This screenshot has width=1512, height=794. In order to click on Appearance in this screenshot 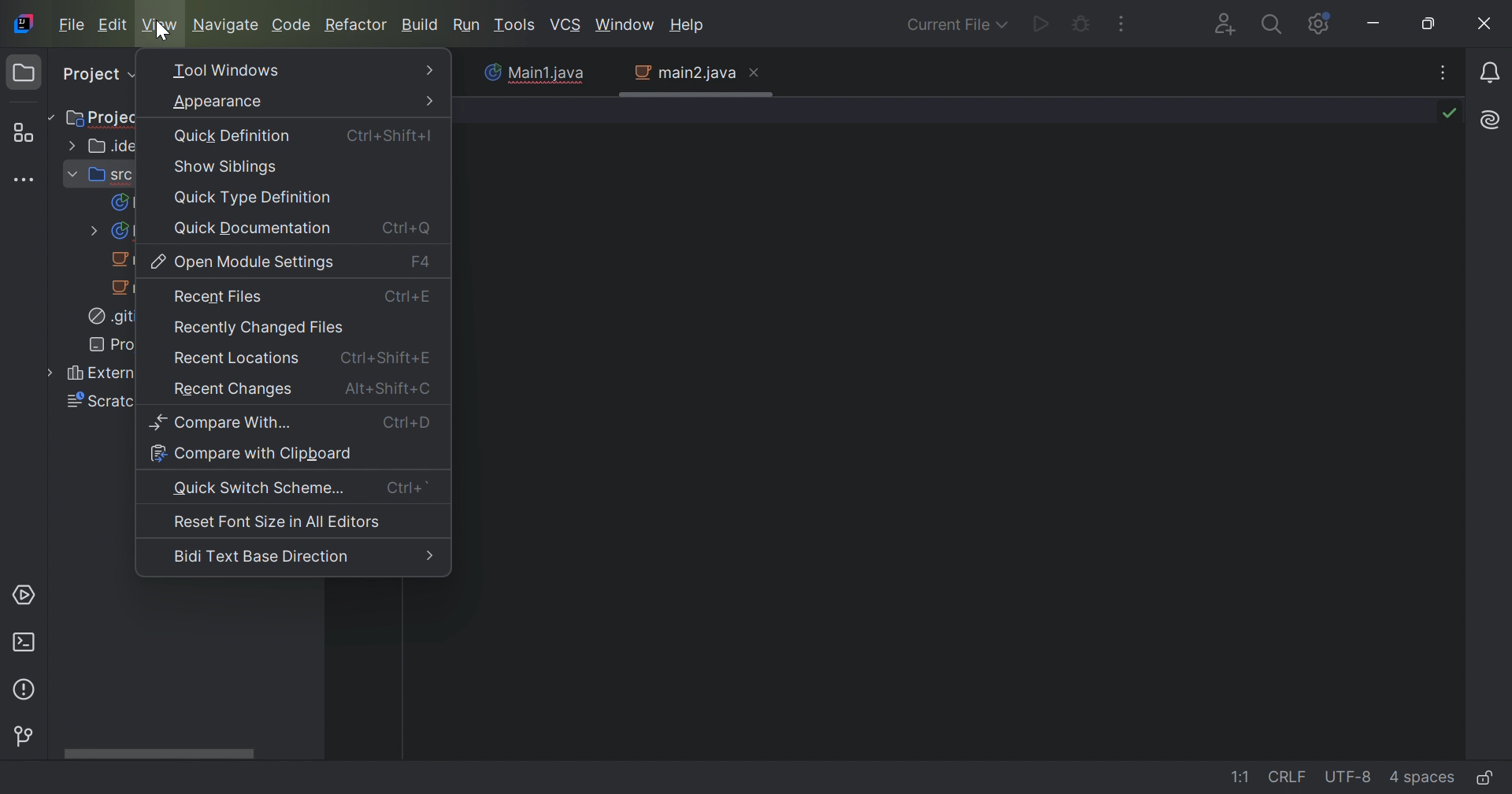, I will do `click(218, 102)`.